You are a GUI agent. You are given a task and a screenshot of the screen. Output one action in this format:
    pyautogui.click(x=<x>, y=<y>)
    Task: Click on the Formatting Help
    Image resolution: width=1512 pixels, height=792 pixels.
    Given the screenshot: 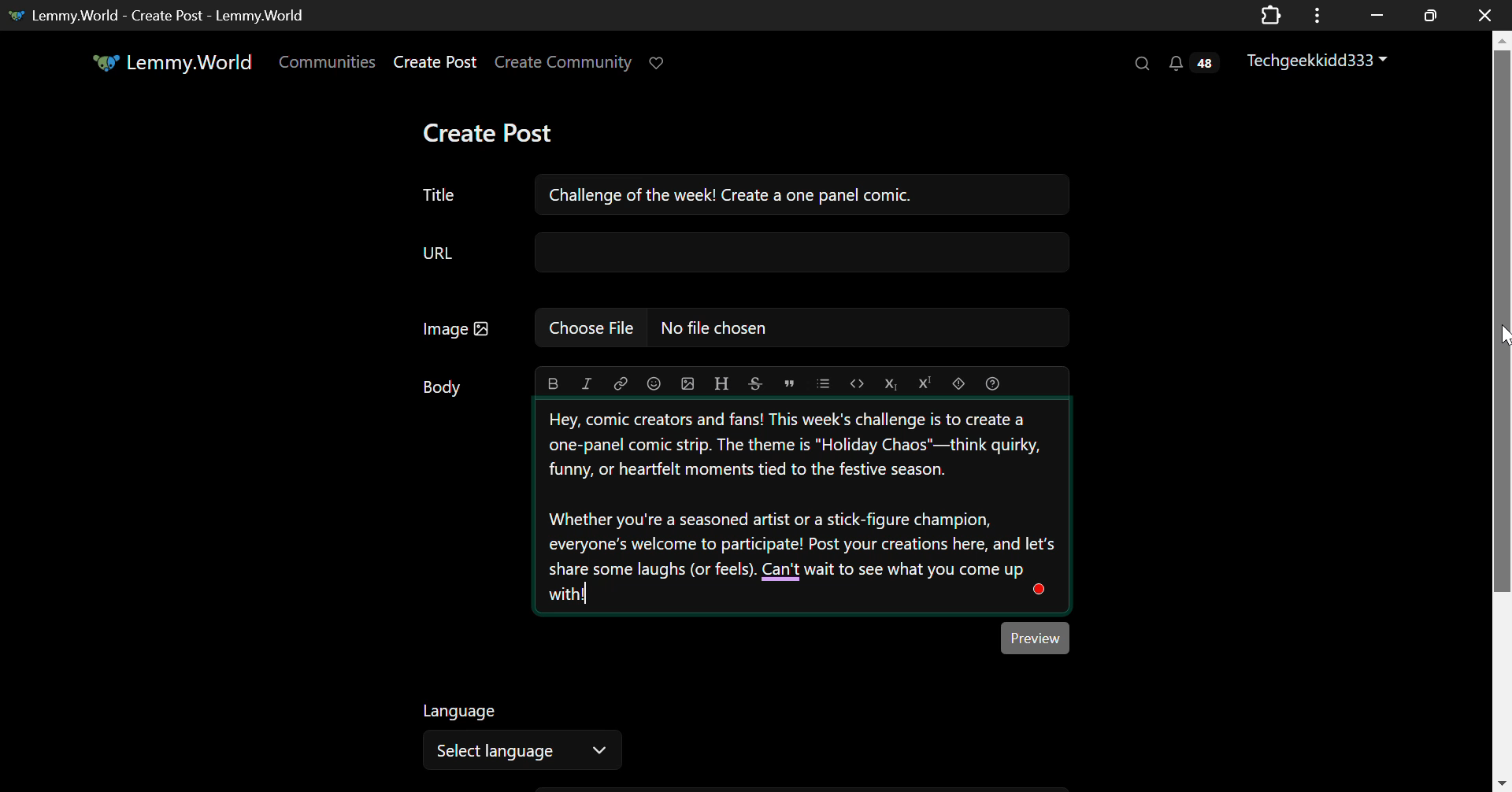 What is the action you would take?
    pyautogui.click(x=992, y=381)
    